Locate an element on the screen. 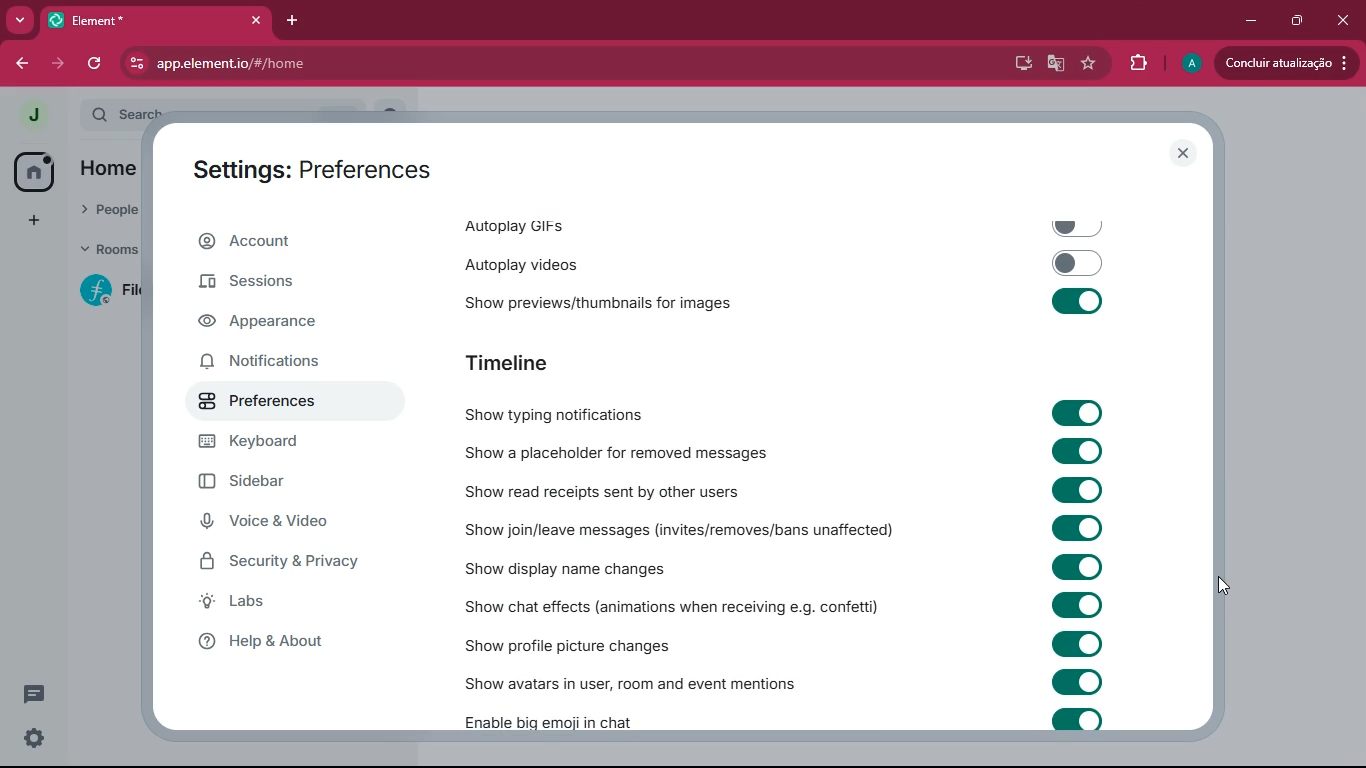 The width and height of the screenshot is (1366, 768). ‘Show avatars in user, room and event mentions is located at coordinates (784, 682).